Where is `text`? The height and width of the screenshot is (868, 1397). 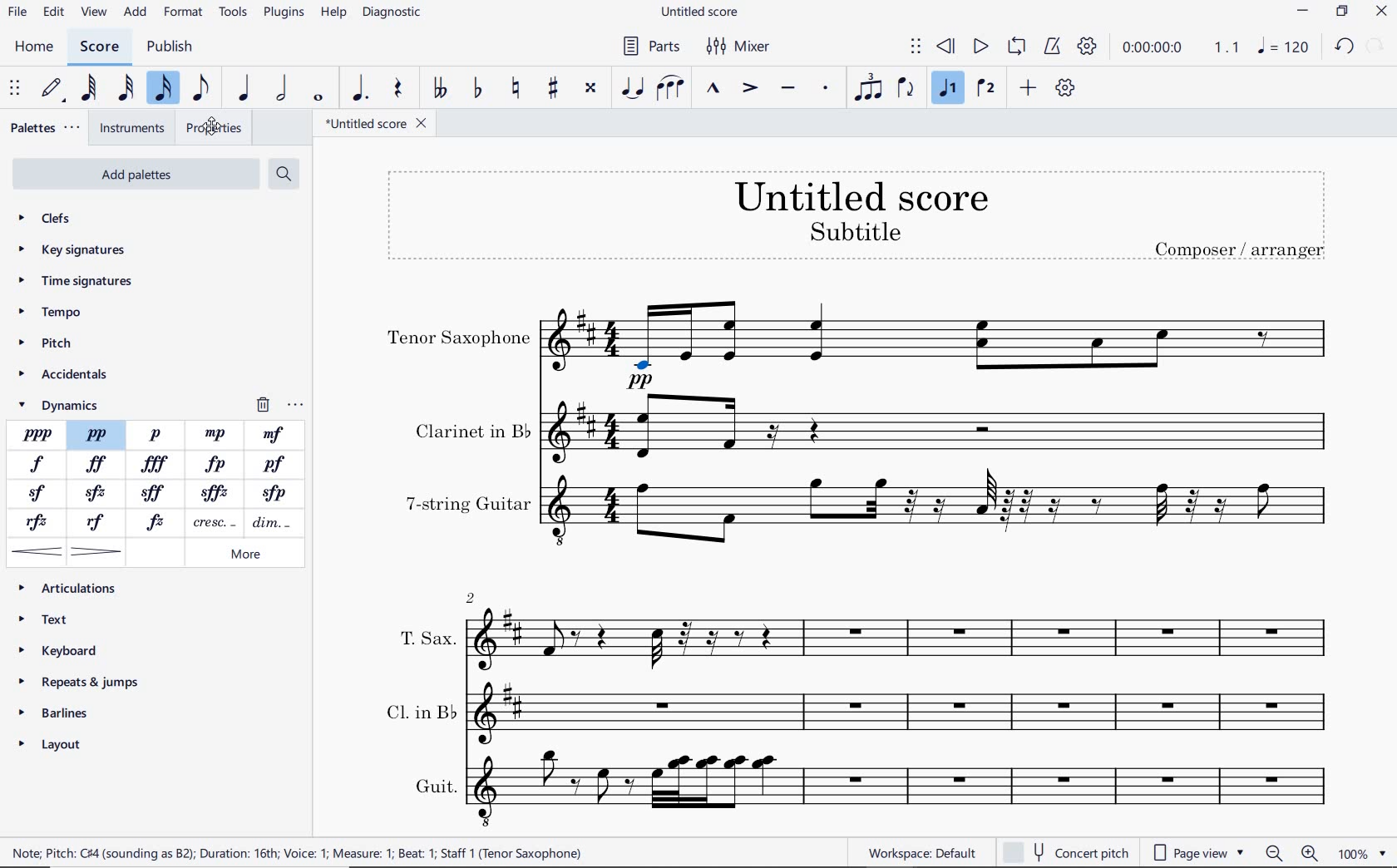
text is located at coordinates (418, 709).